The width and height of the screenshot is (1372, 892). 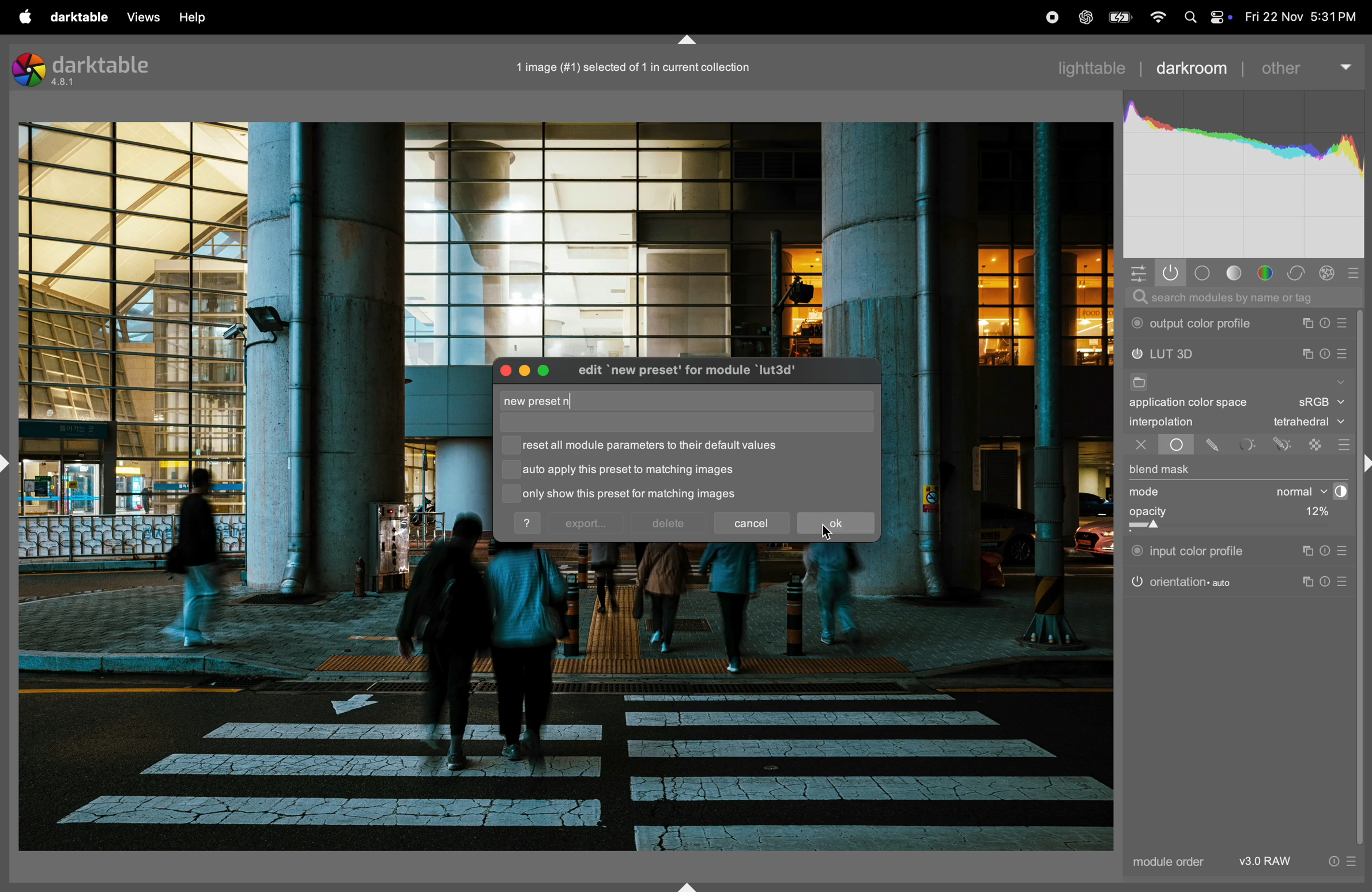 What do you see at coordinates (1195, 324) in the screenshot?
I see `output color profile` at bounding box center [1195, 324].